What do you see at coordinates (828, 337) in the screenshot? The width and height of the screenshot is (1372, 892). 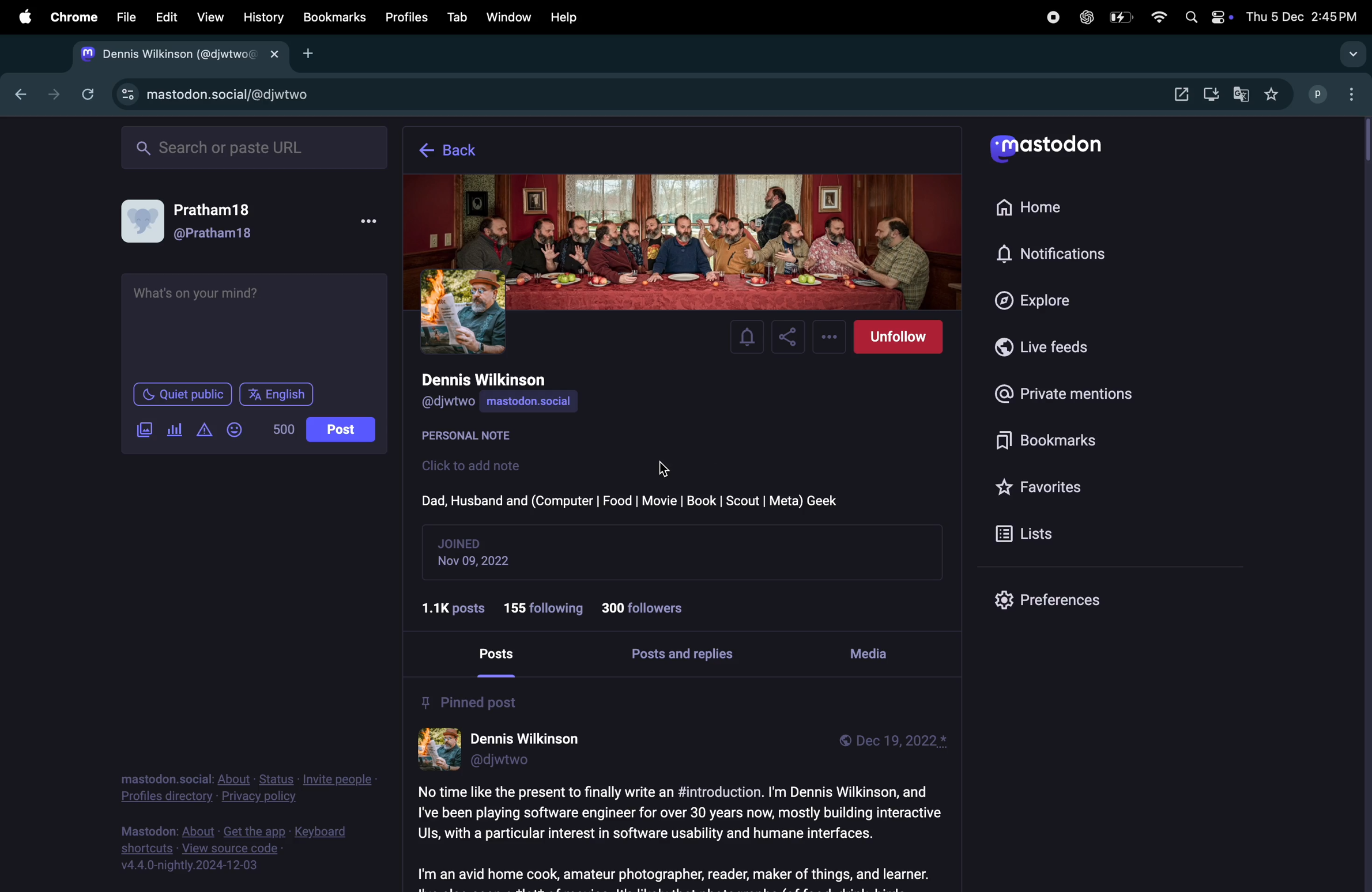 I see `more options` at bounding box center [828, 337].